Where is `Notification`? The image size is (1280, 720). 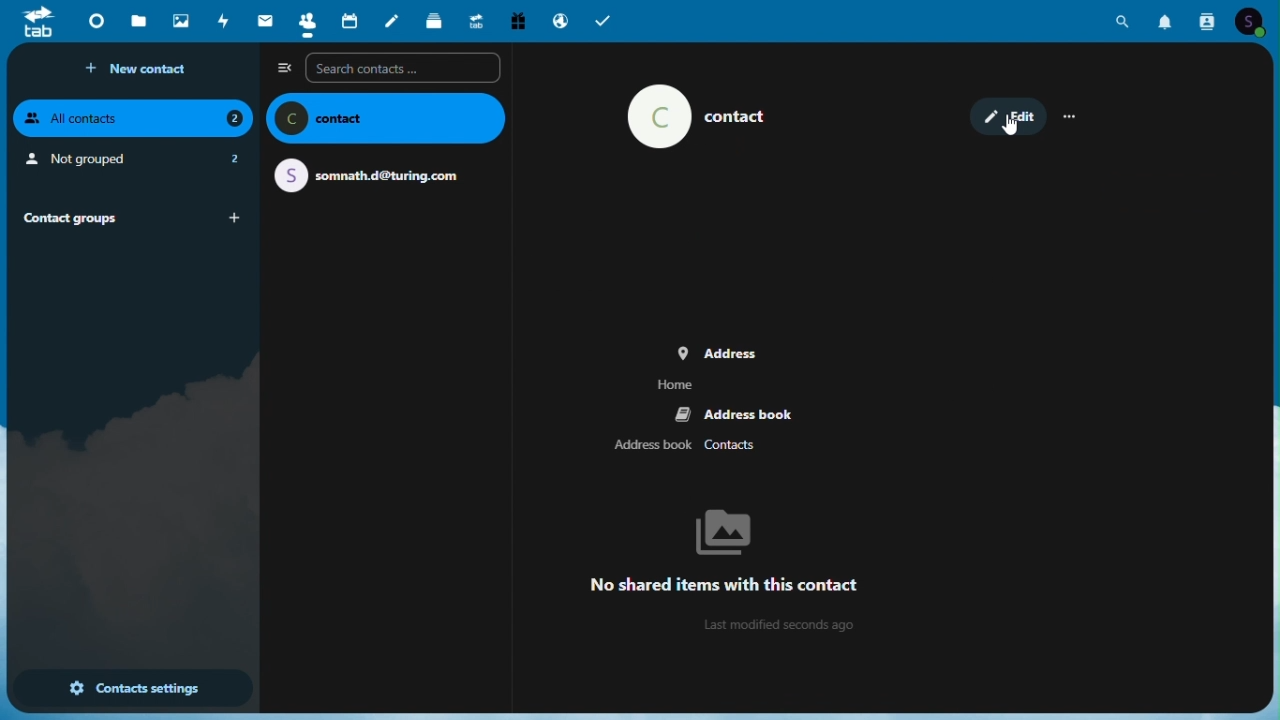
Notification is located at coordinates (1166, 24).